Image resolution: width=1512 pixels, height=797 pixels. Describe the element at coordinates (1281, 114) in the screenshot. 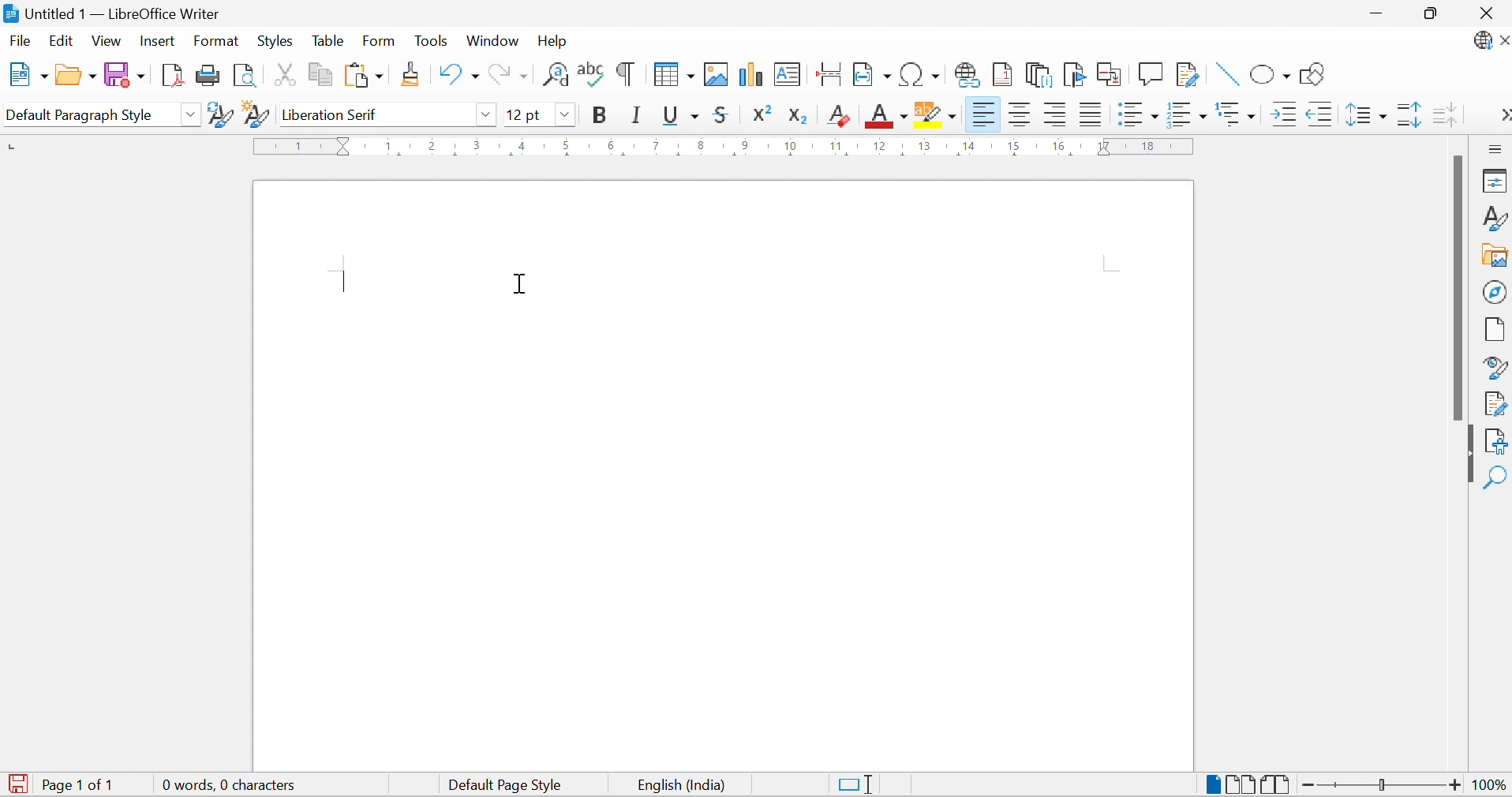

I see `Increase Indent` at that location.